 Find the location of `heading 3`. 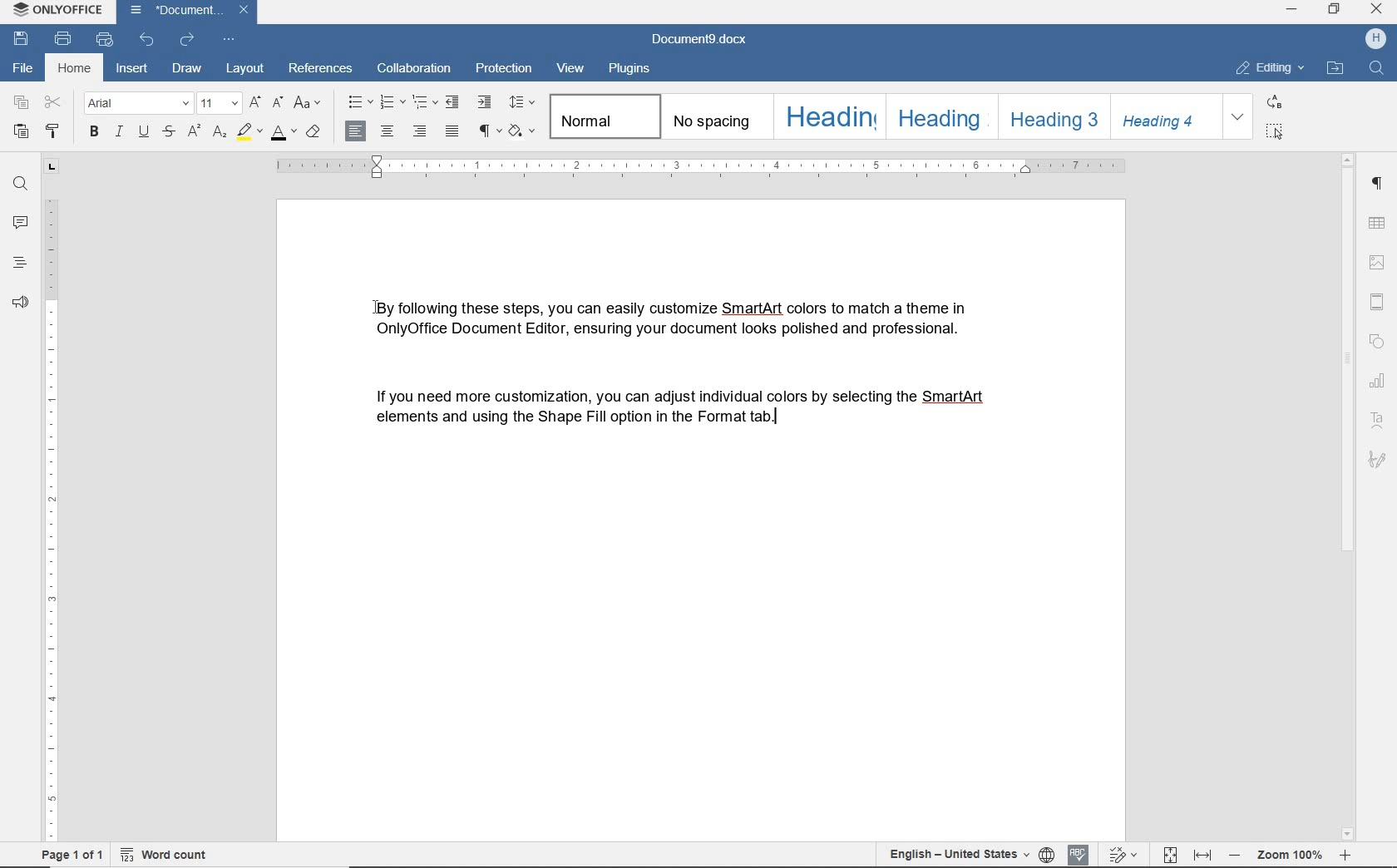

heading 3 is located at coordinates (1051, 116).